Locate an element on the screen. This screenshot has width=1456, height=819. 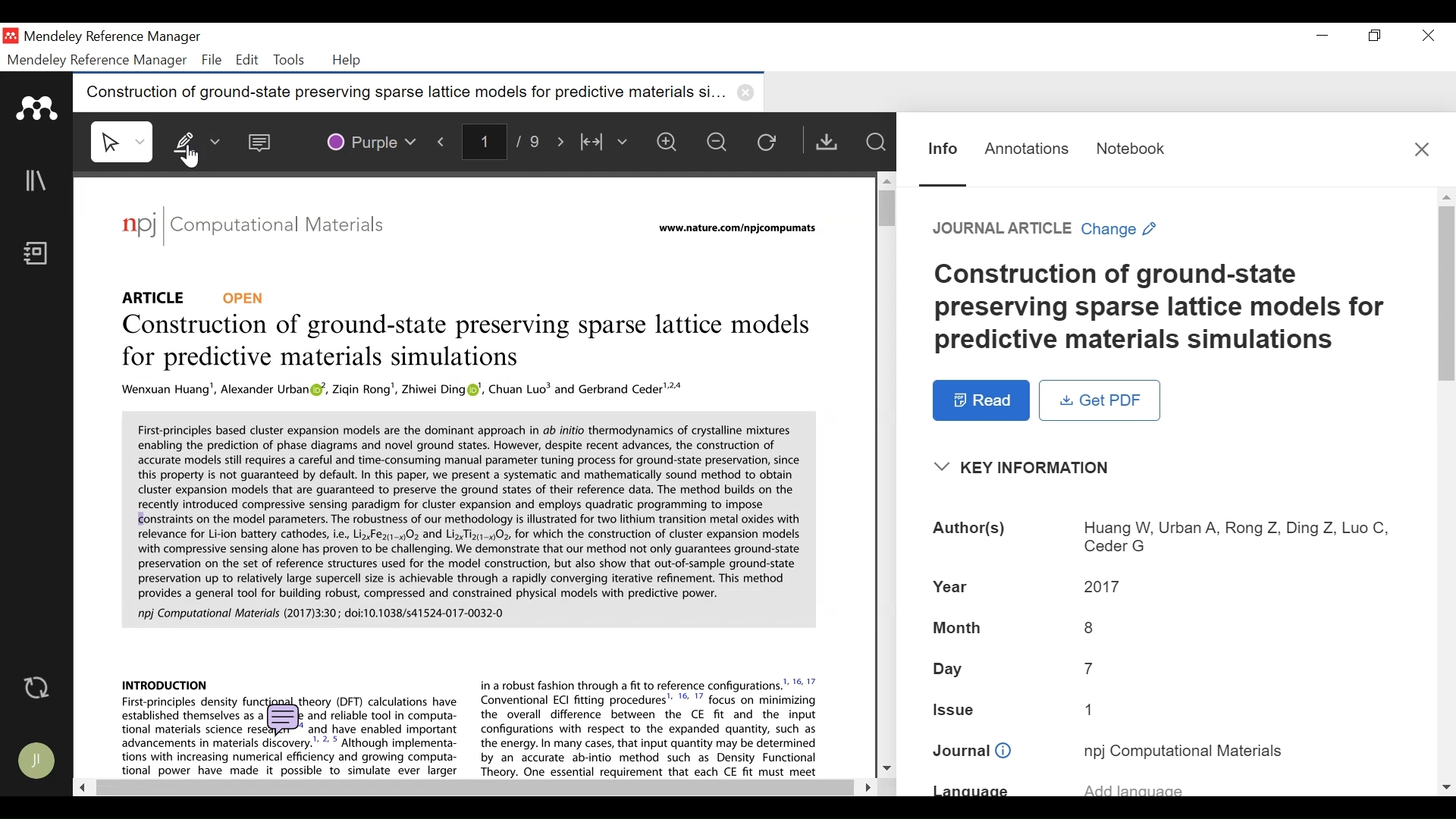
Mendeley Reference Manager is located at coordinates (98, 61).